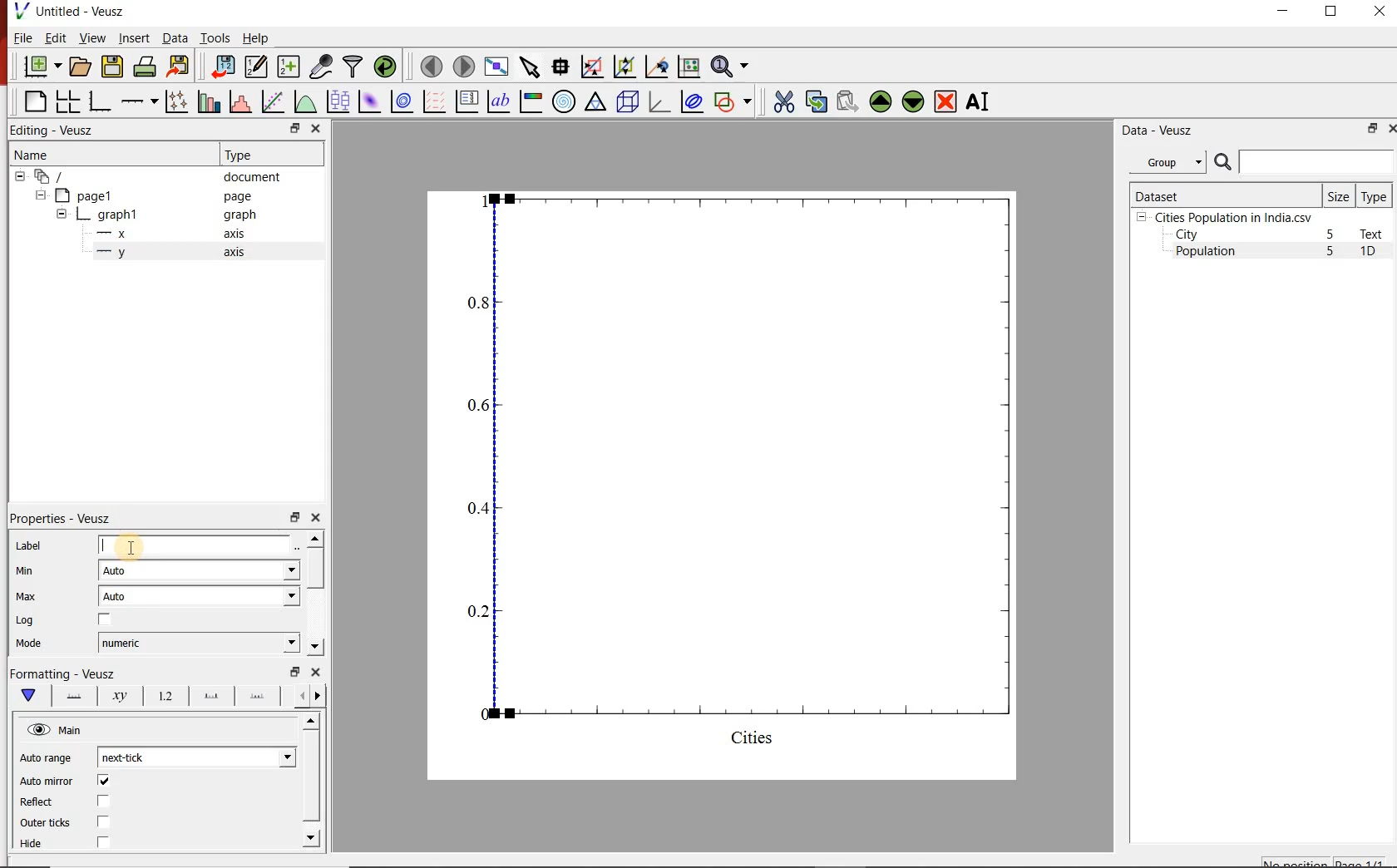  What do you see at coordinates (214, 37) in the screenshot?
I see `Tools` at bounding box center [214, 37].